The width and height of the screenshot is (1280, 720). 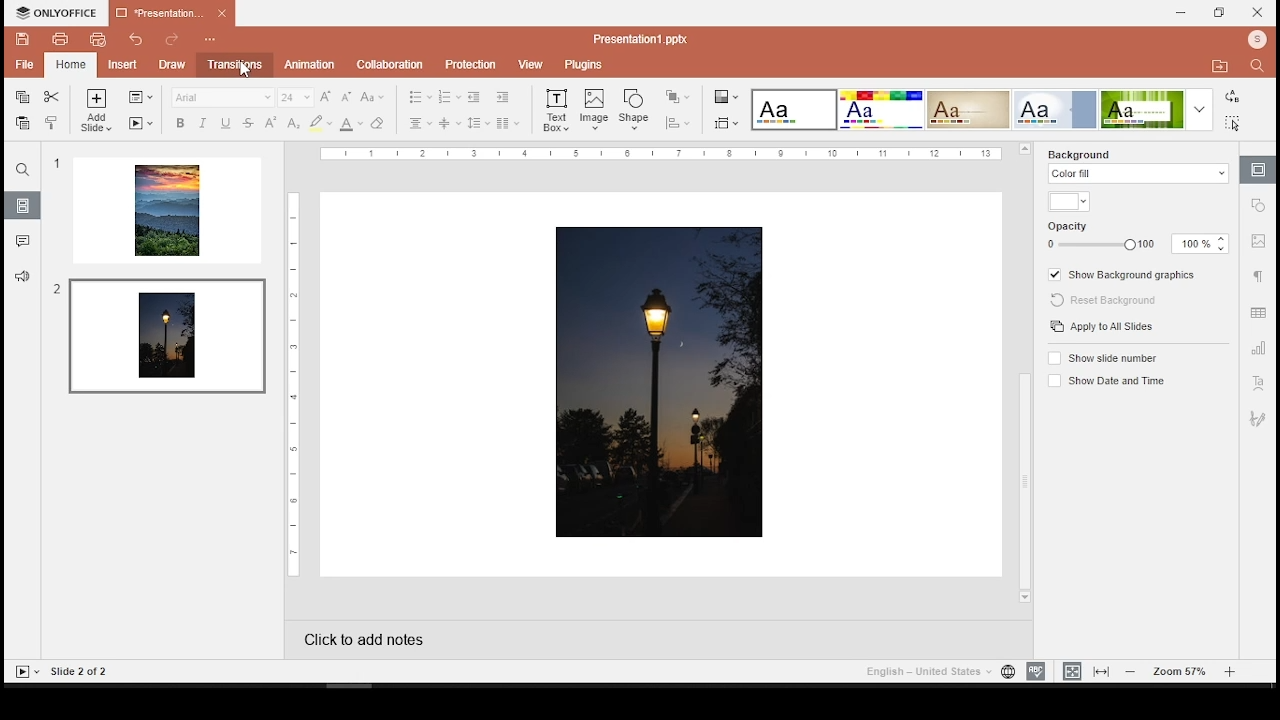 I want to click on change slide size, so click(x=725, y=126).